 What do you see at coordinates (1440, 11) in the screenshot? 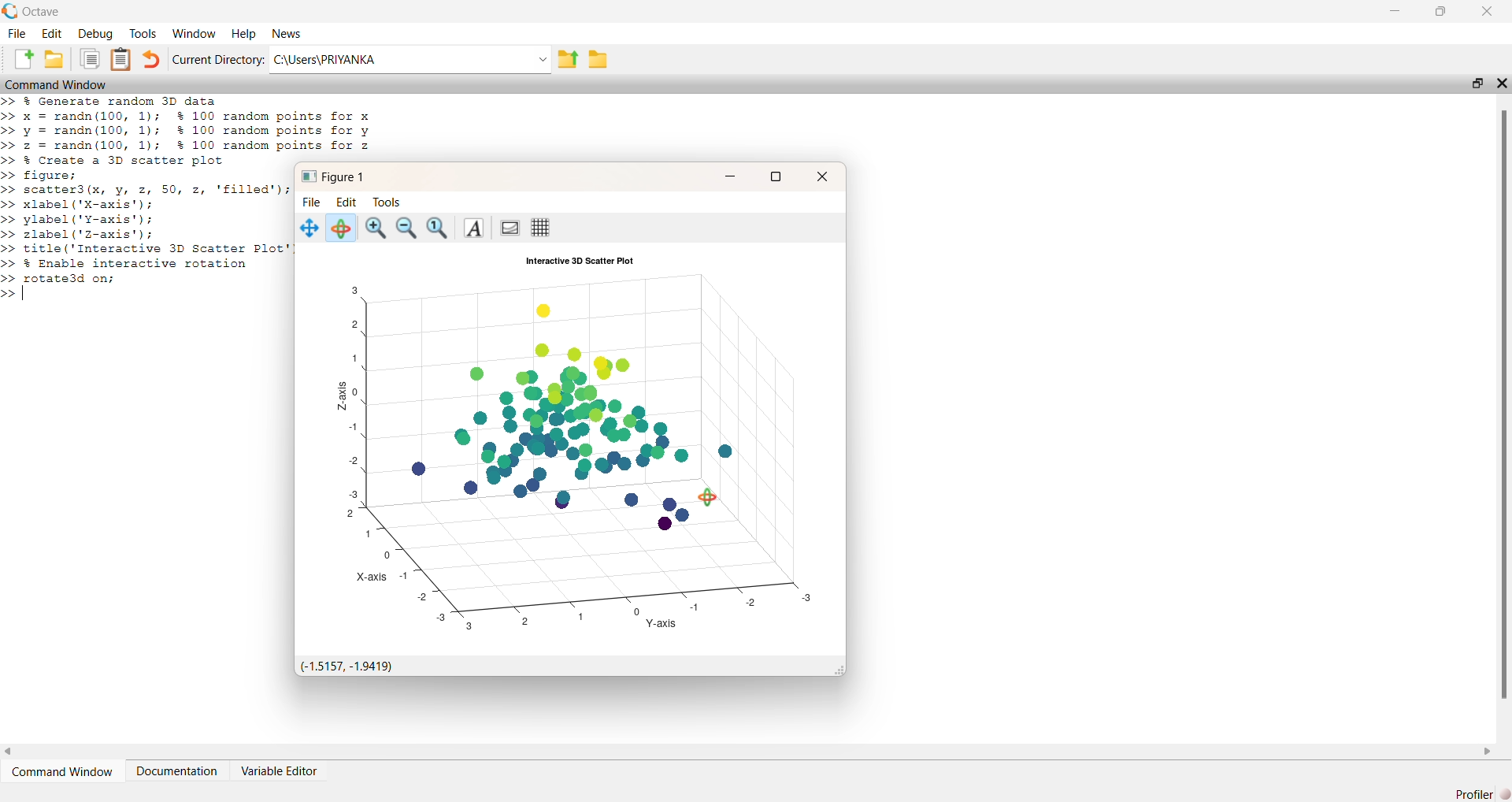
I see `resize` at bounding box center [1440, 11].